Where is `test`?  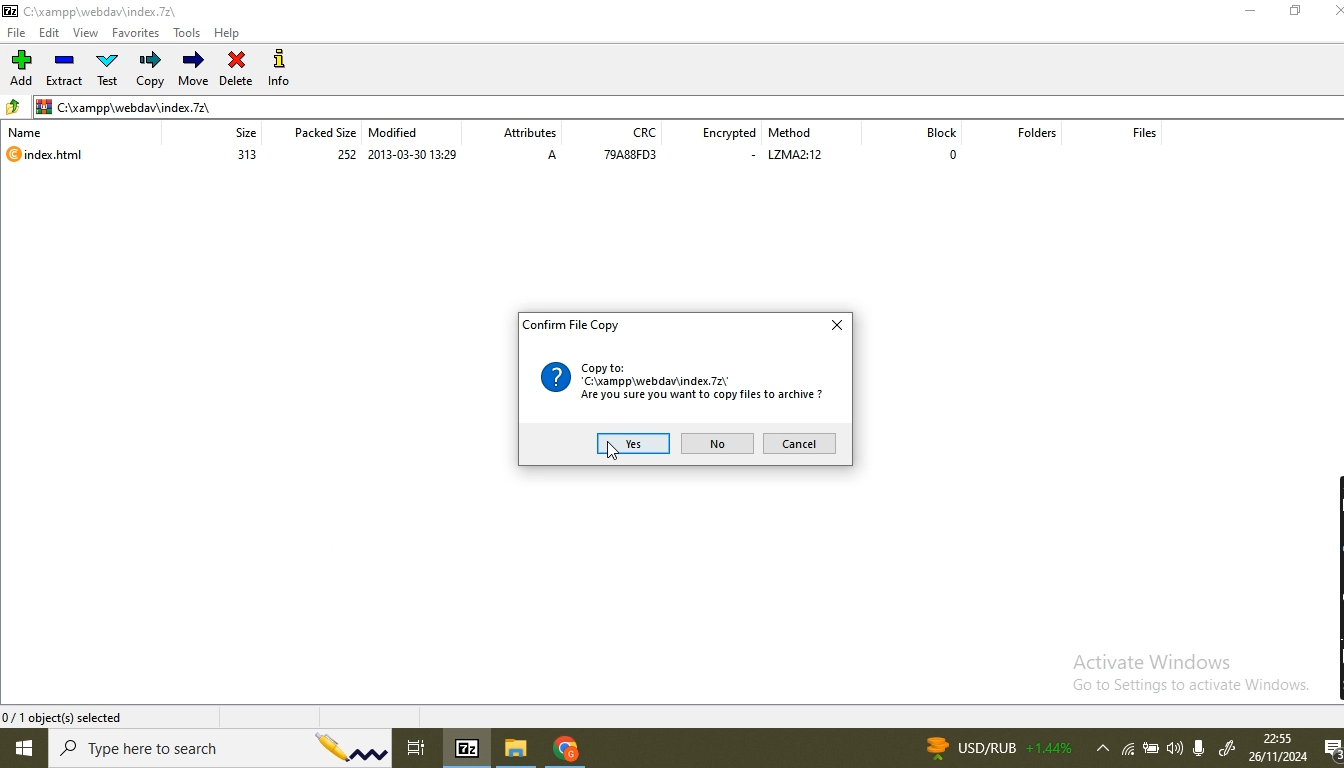
test is located at coordinates (109, 70).